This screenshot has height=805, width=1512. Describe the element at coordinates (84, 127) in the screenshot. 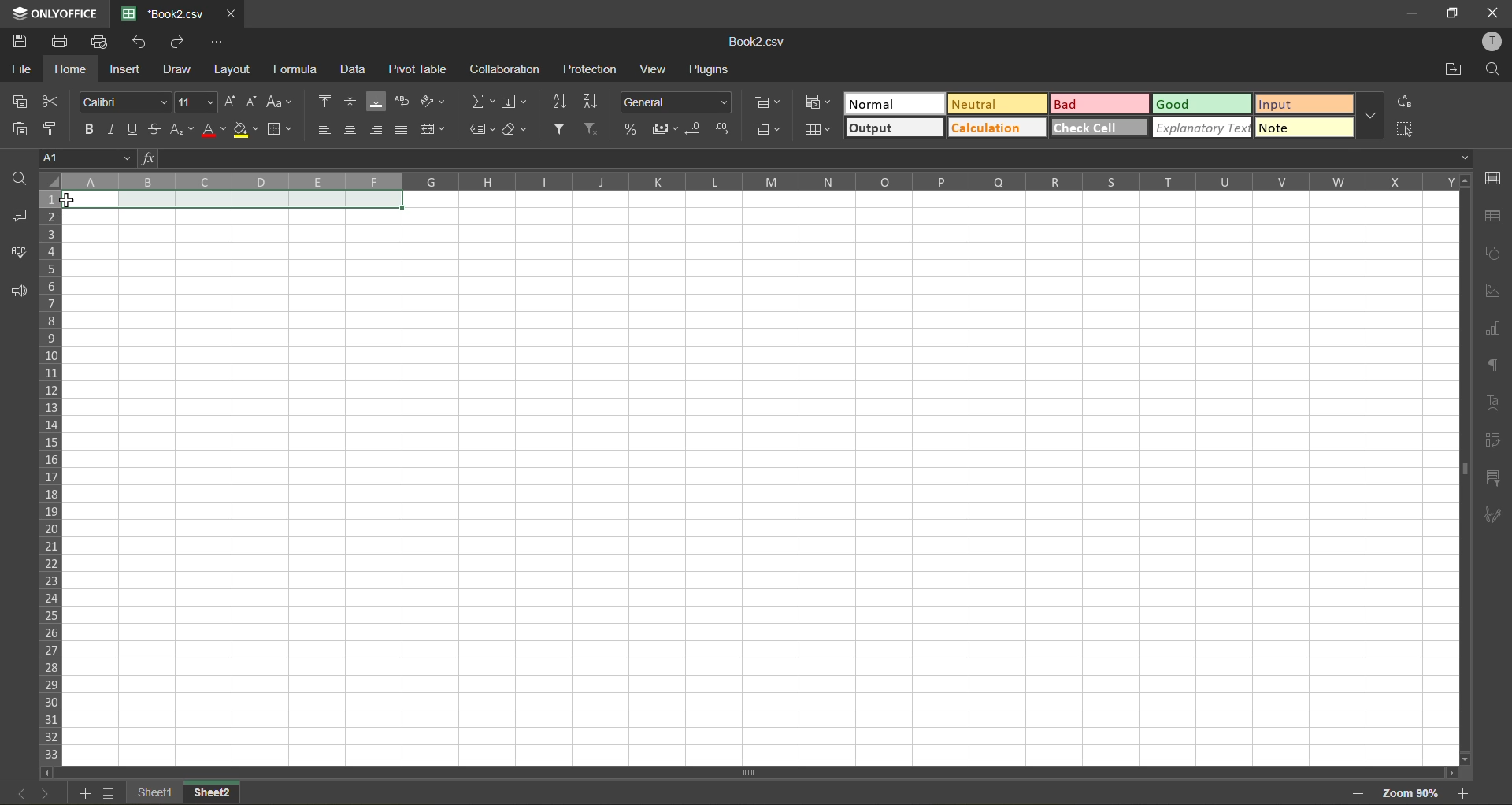

I see `bold` at that location.